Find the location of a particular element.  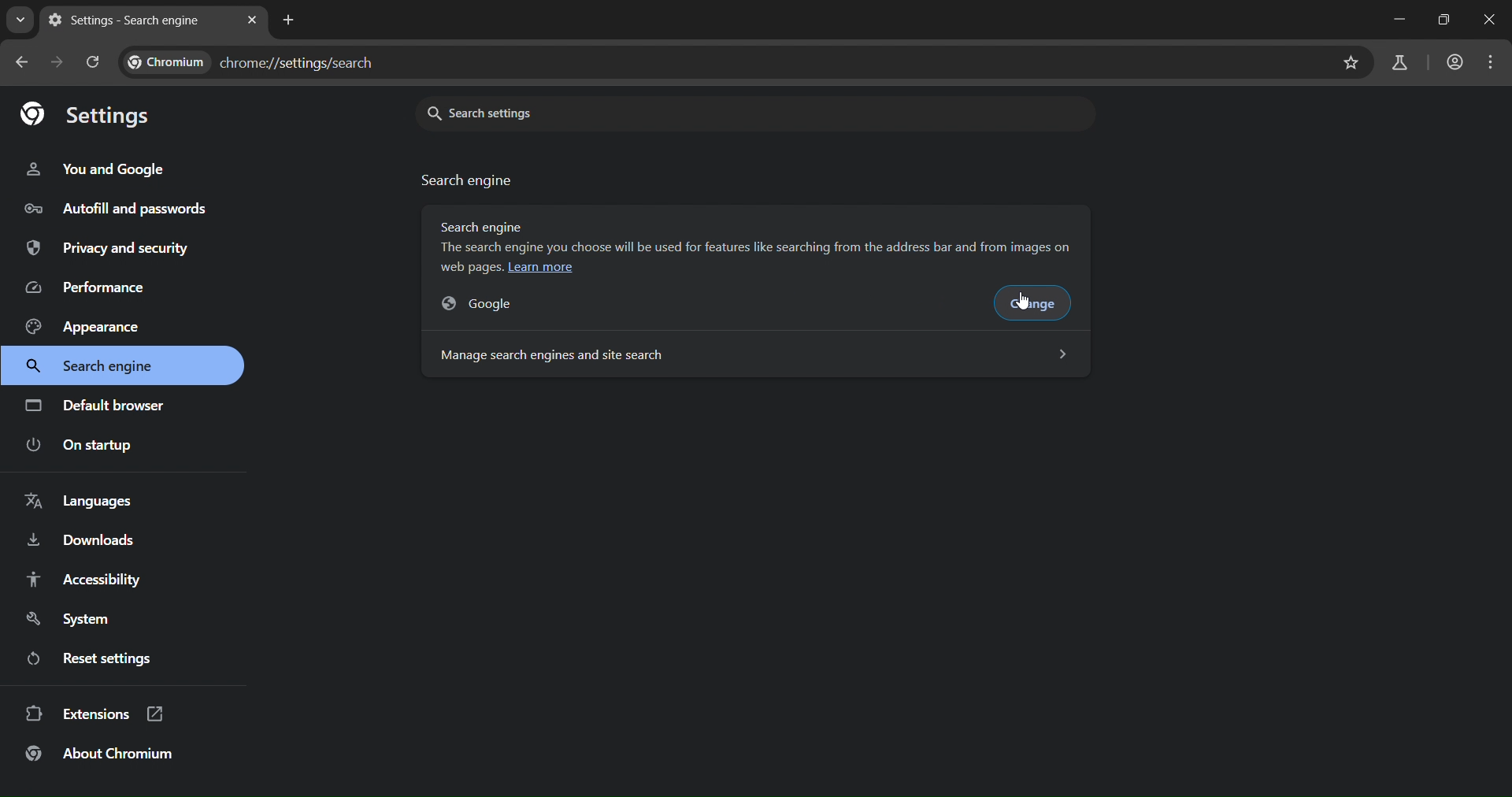

change is located at coordinates (1038, 305).